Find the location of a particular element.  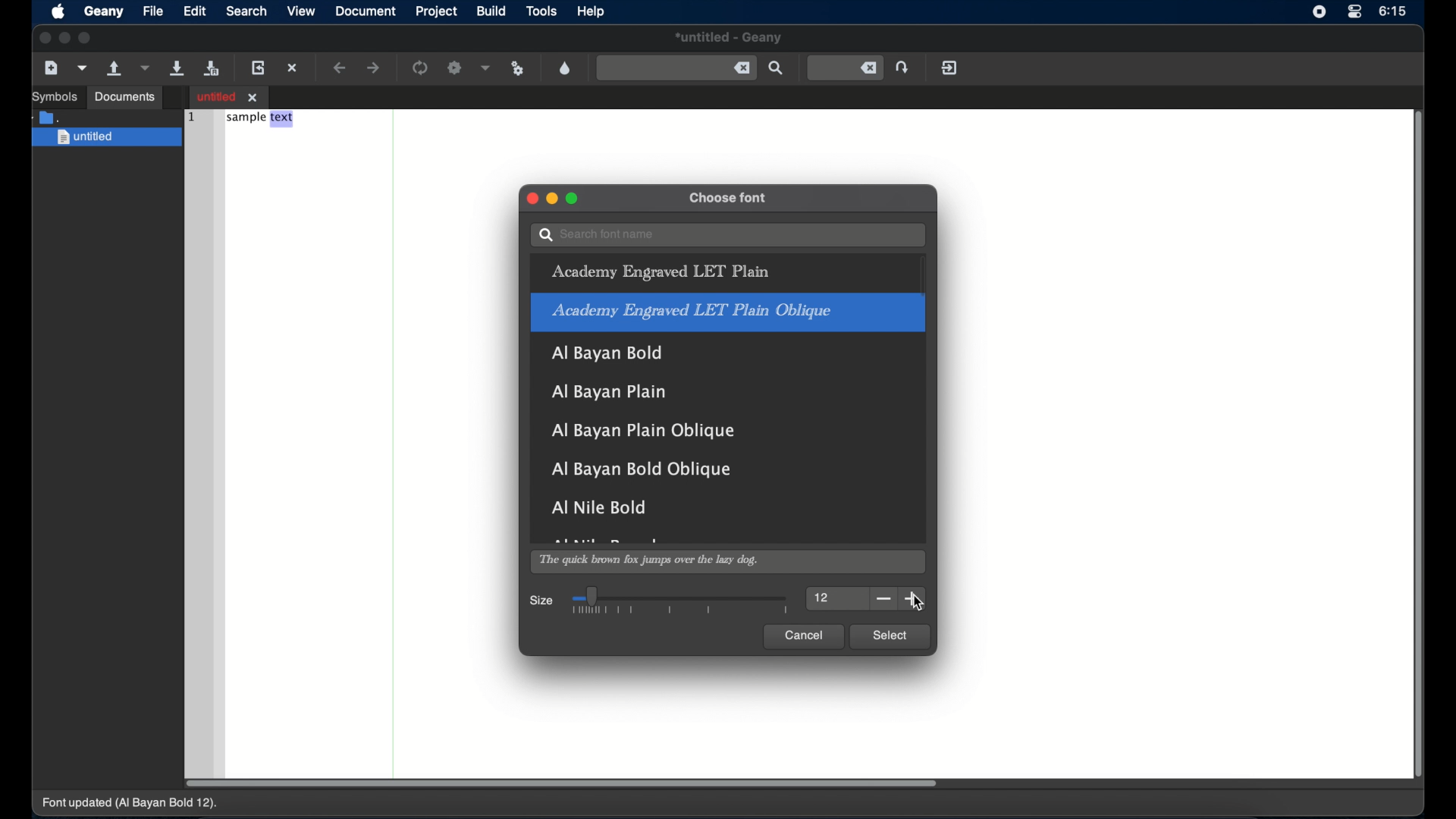

close the current file is located at coordinates (293, 69).